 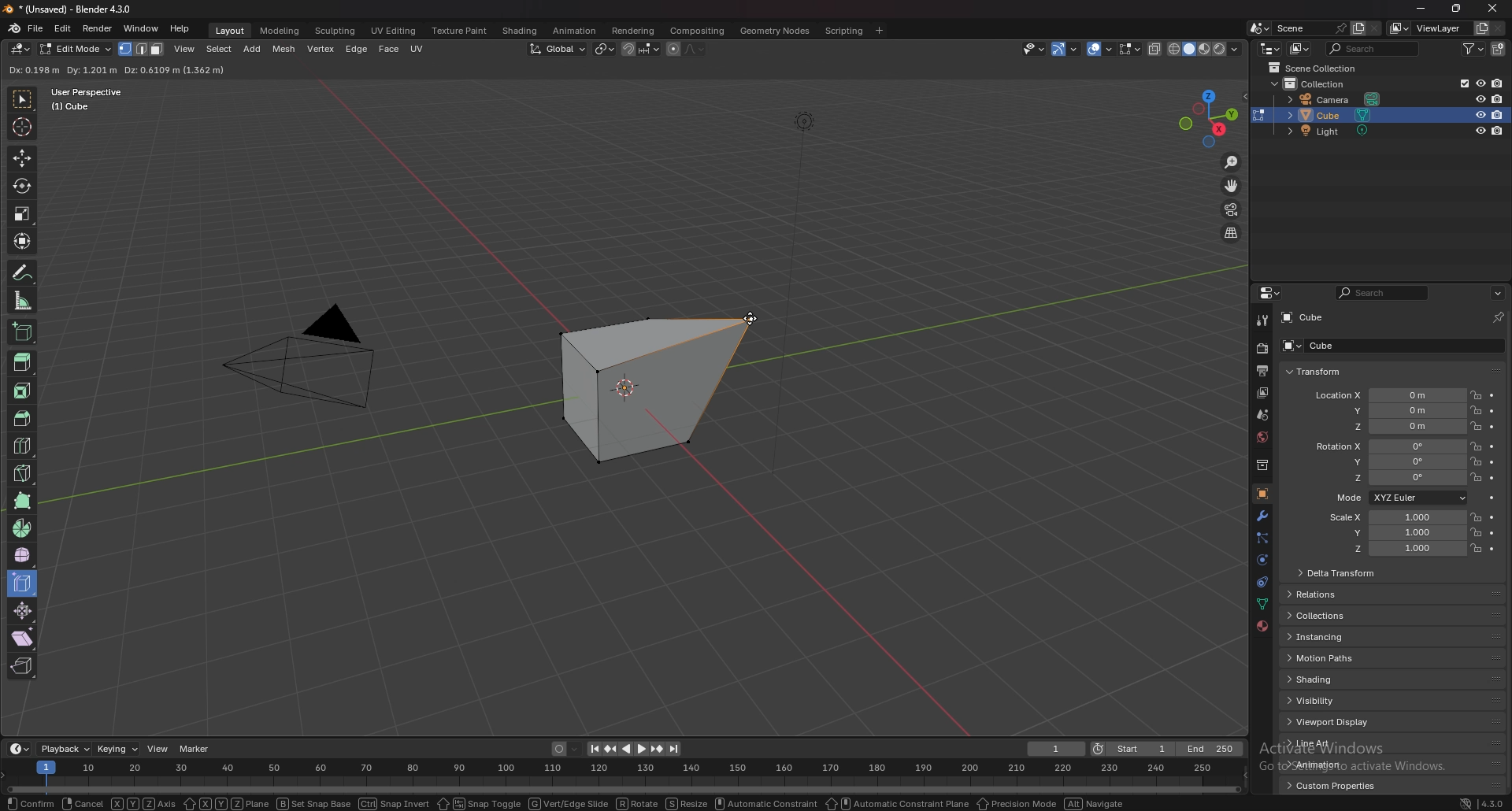 I want to click on animate property, so click(x=1491, y=497).